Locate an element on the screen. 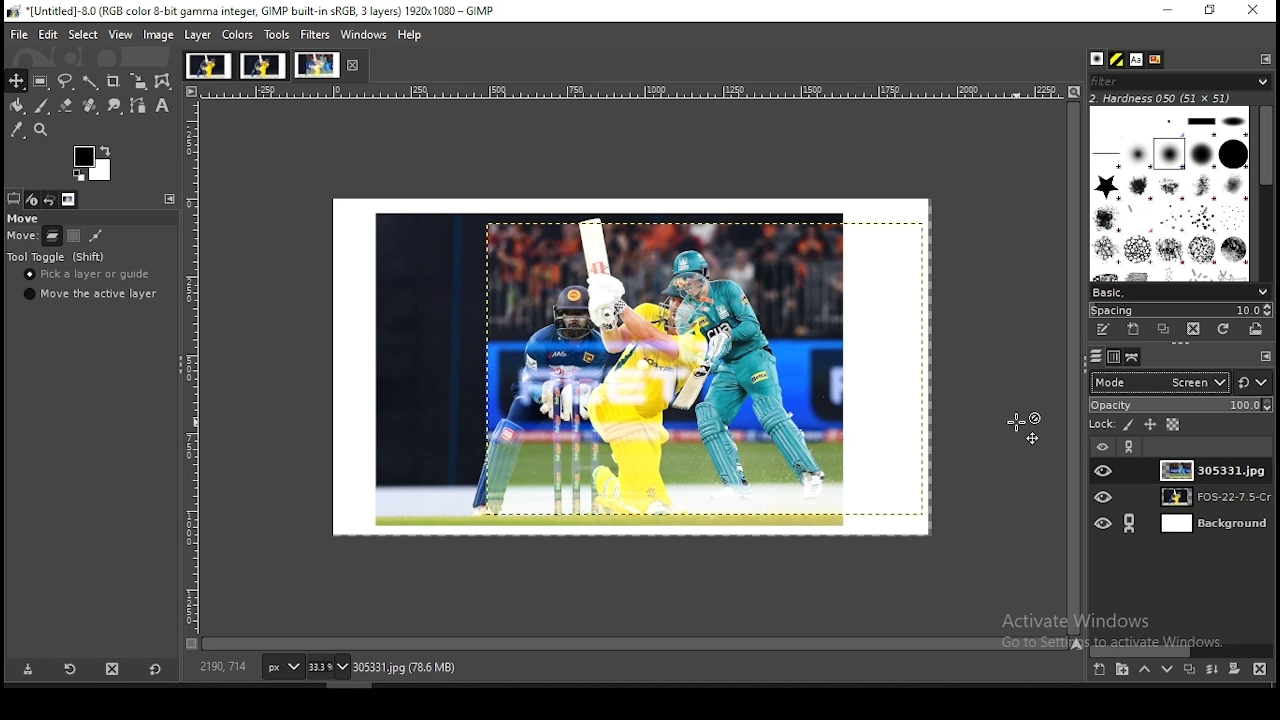  delete brush is located at coordinates (1195, 329).